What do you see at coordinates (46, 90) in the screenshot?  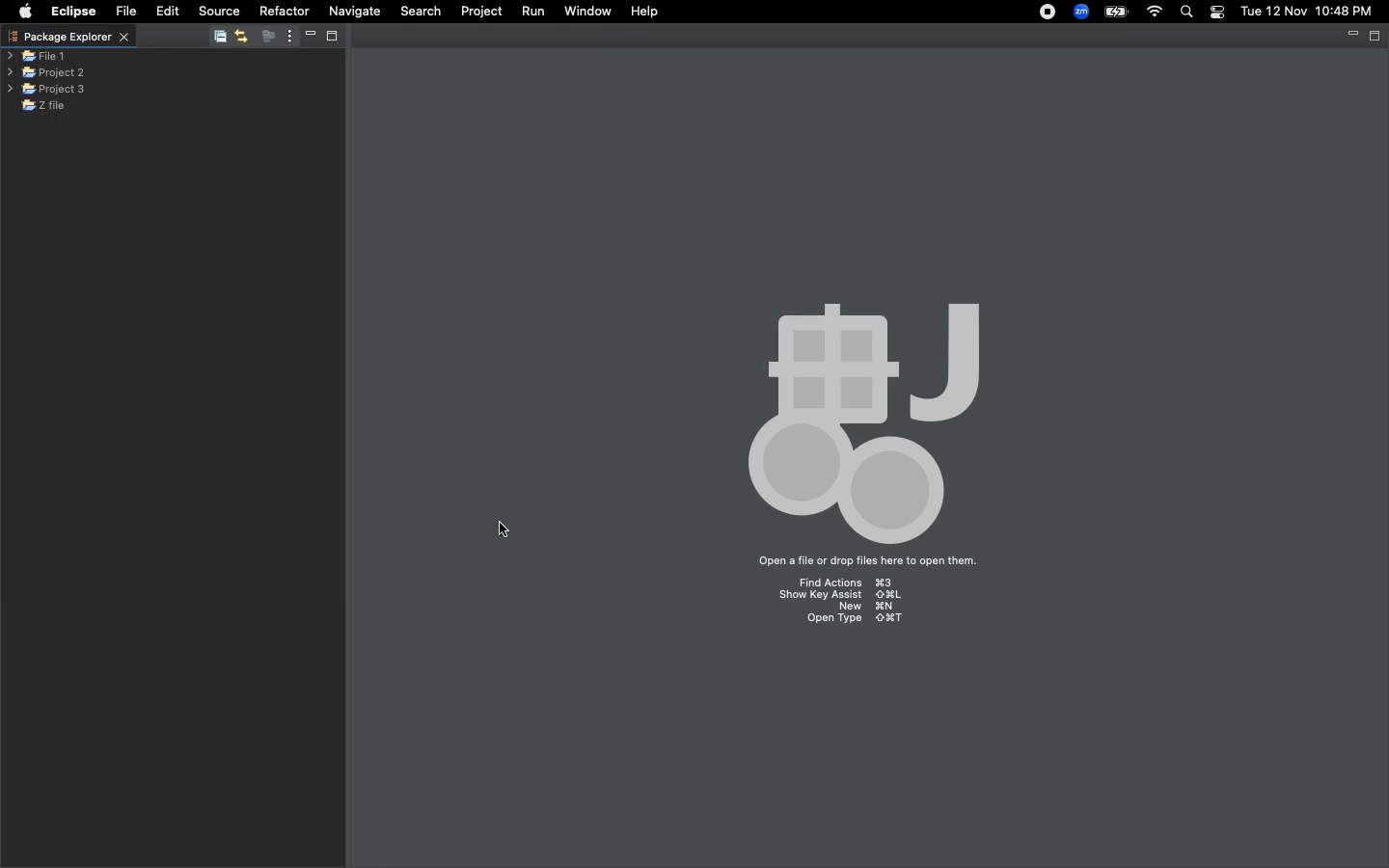 I see `Project 3` at bounding box center [46, 90].